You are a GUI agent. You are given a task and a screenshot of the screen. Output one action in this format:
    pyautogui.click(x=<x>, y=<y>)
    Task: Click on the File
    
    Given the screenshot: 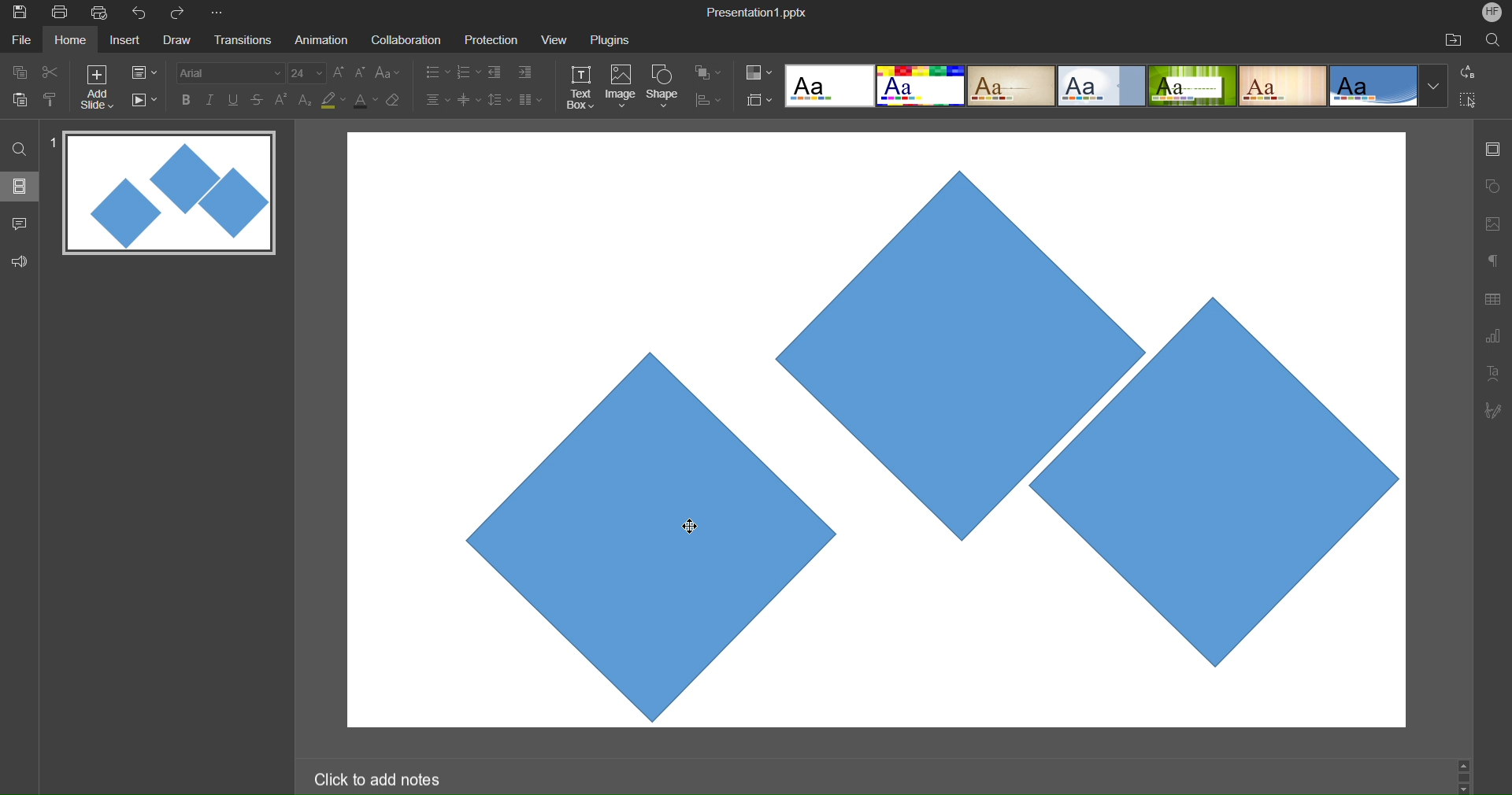 What is the action you would take?
    pyautogui.click(x=24, y=39)
    